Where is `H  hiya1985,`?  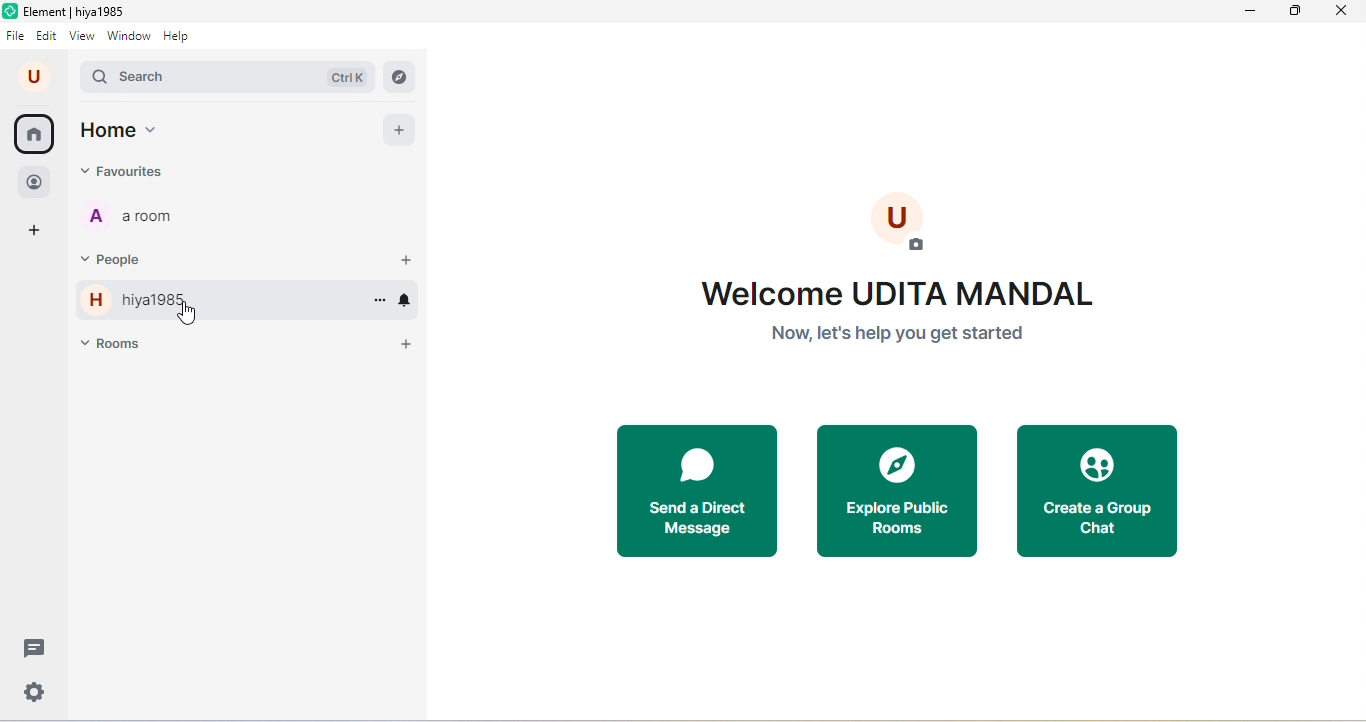 H  hiya1985, is located at coordinates (158, 298).